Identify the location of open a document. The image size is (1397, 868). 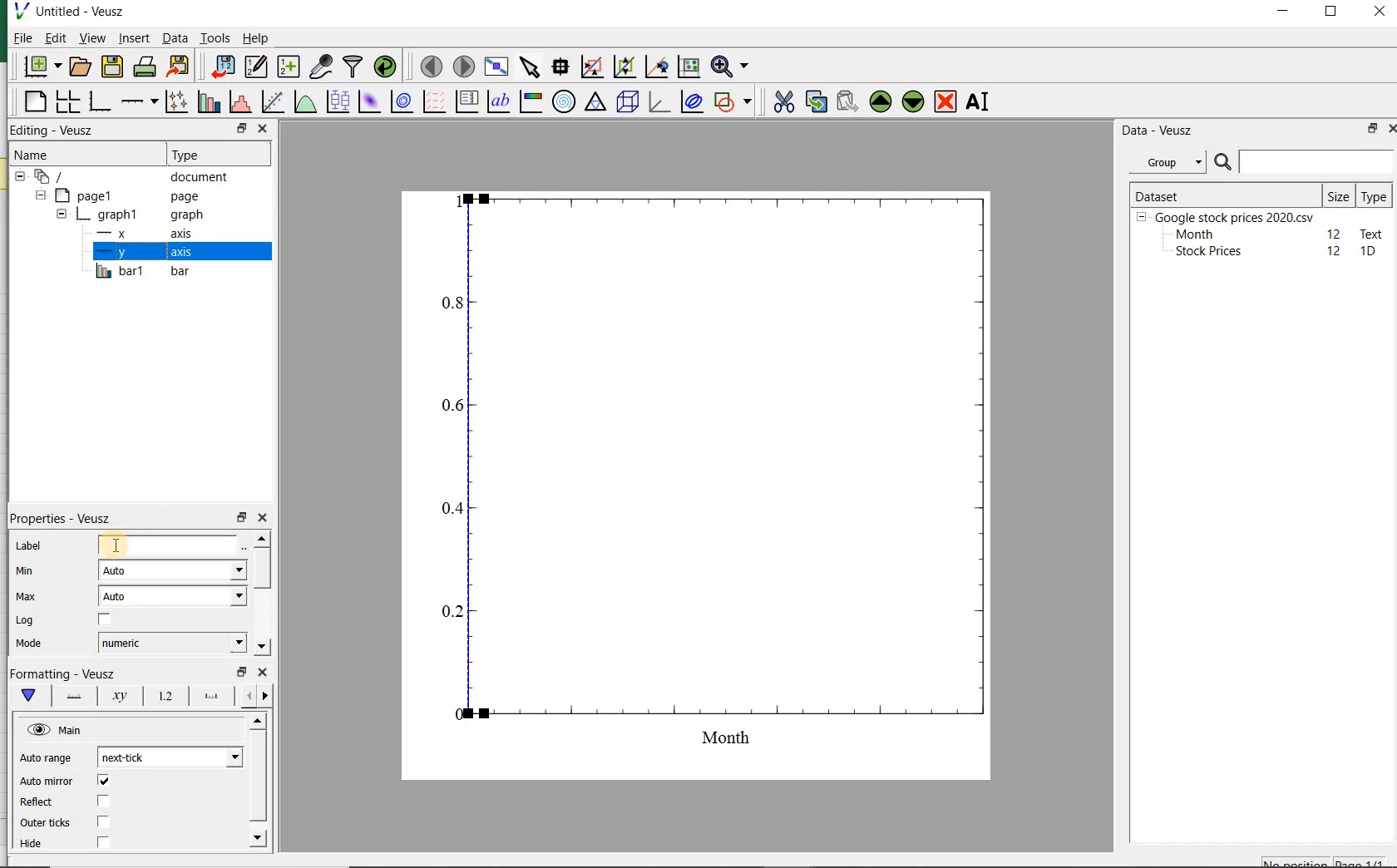
(81, 66).